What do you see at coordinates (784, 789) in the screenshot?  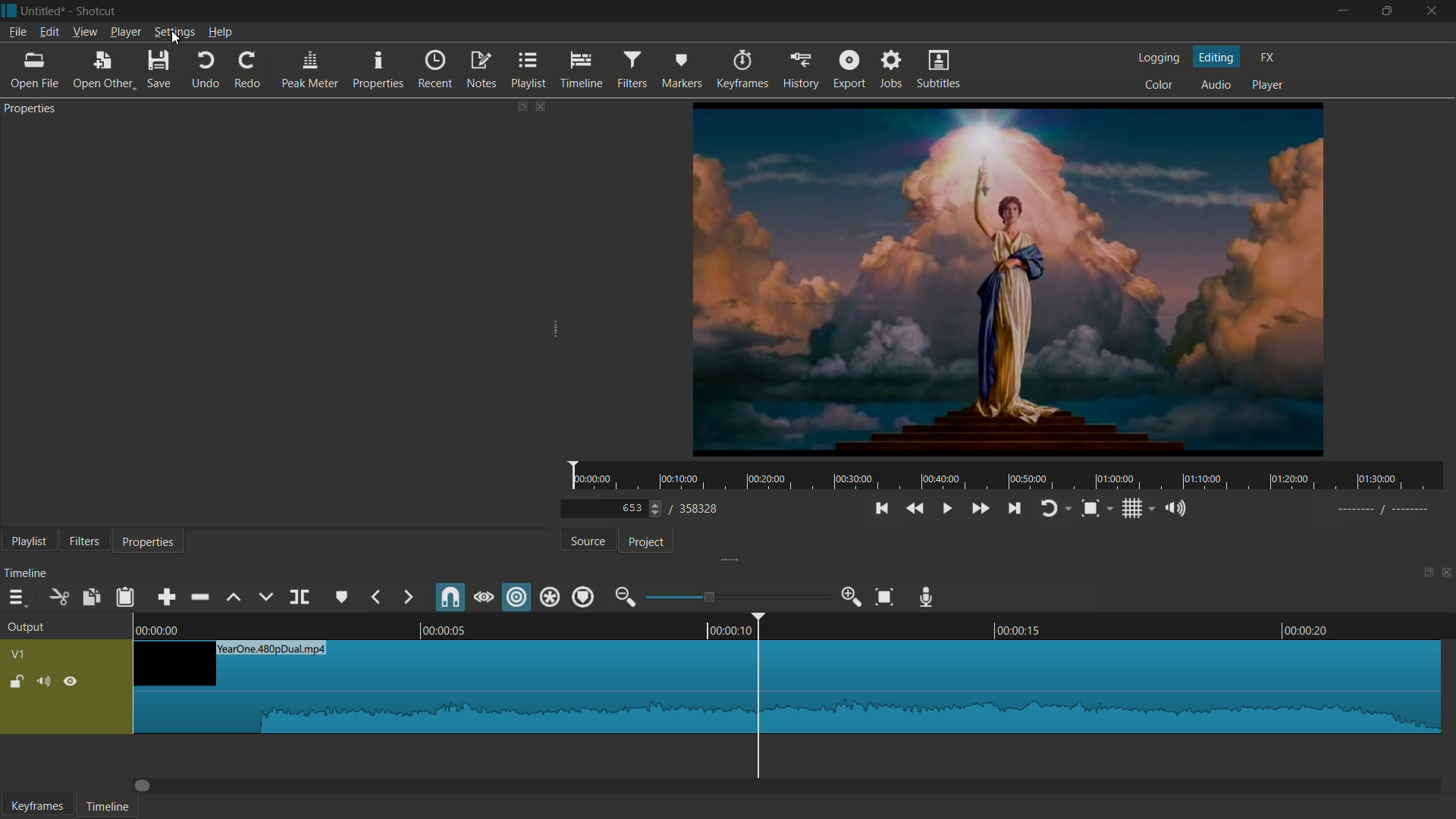 I see `Dragbar` at bounding box center [784, 789].